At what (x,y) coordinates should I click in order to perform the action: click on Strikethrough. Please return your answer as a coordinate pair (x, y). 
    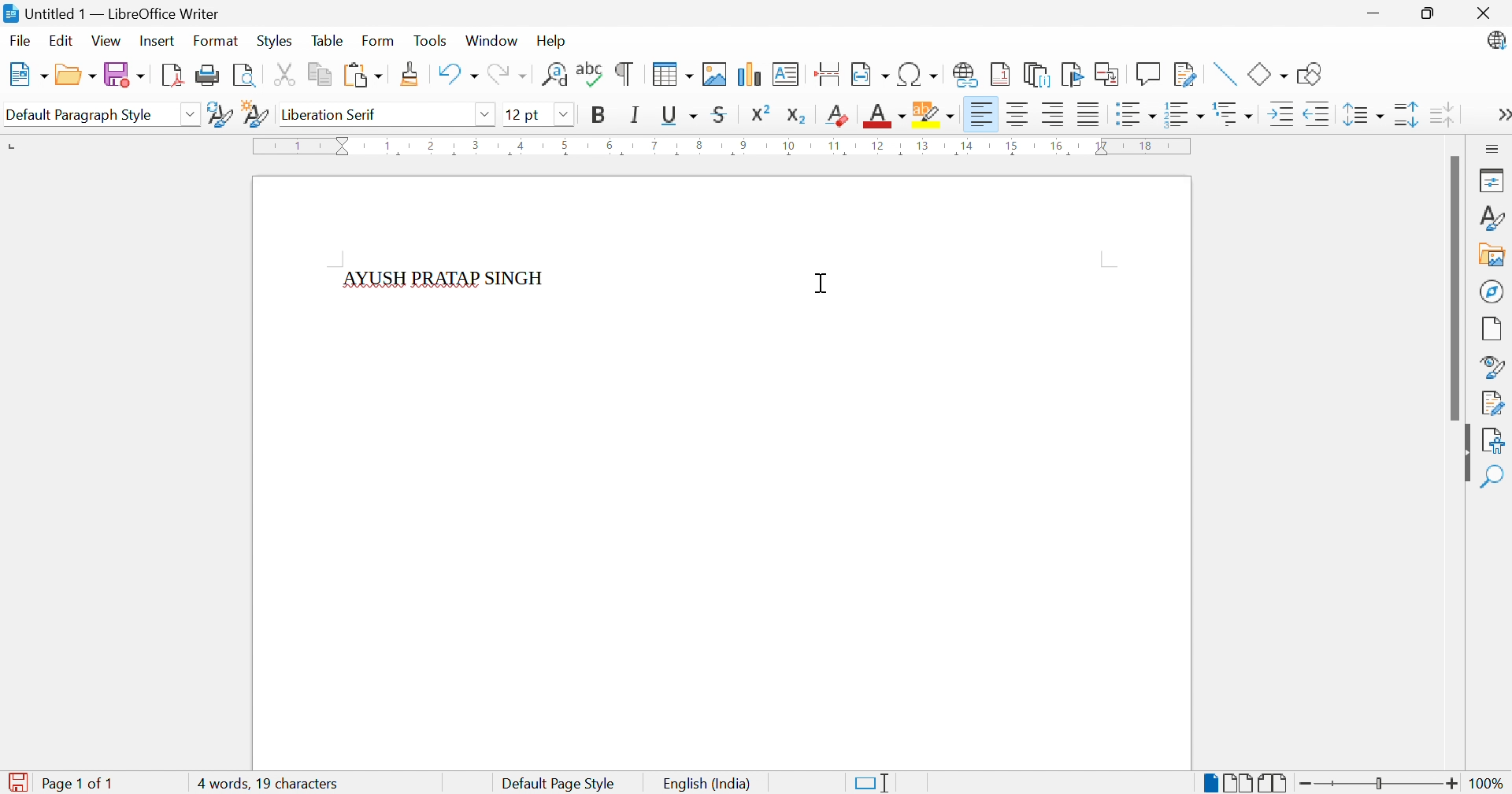
    Looking at the image, I should click on (720, 117).